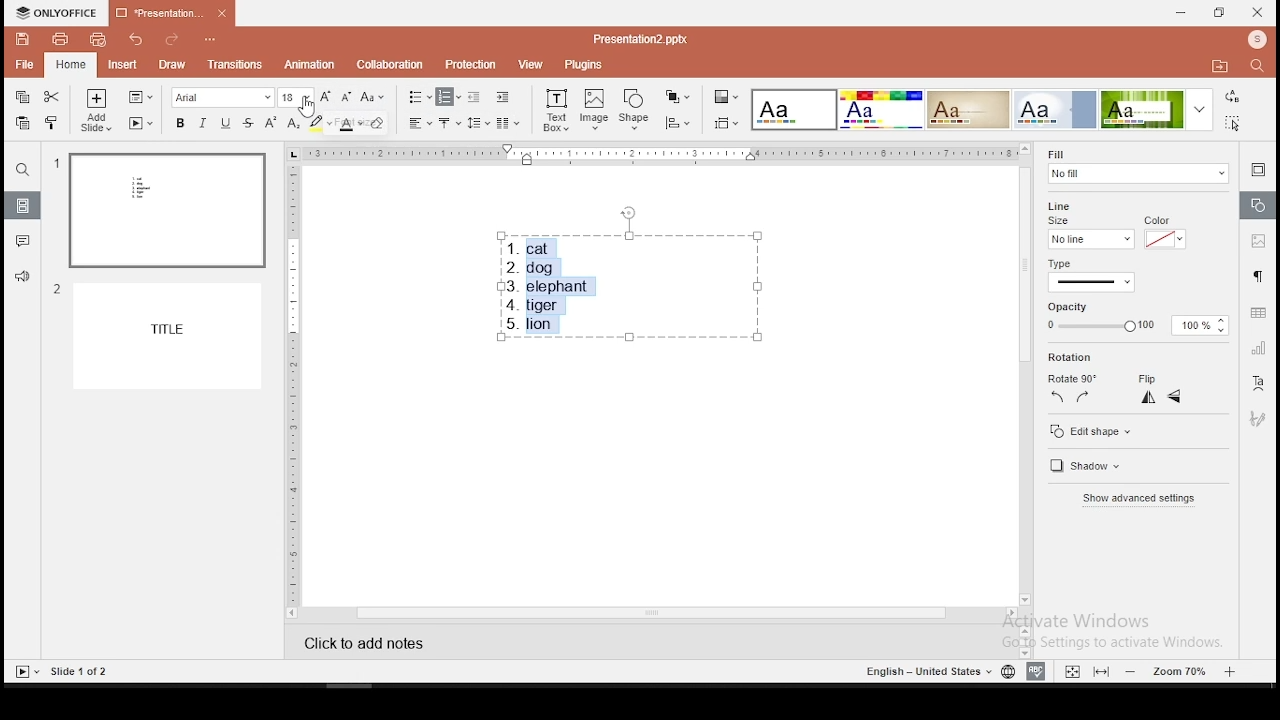 Image resolution: width=1280 pixels, height=720 pixels. Describe the element at coordinates (23, 96) in the screenshot. I see `copy` at that location.